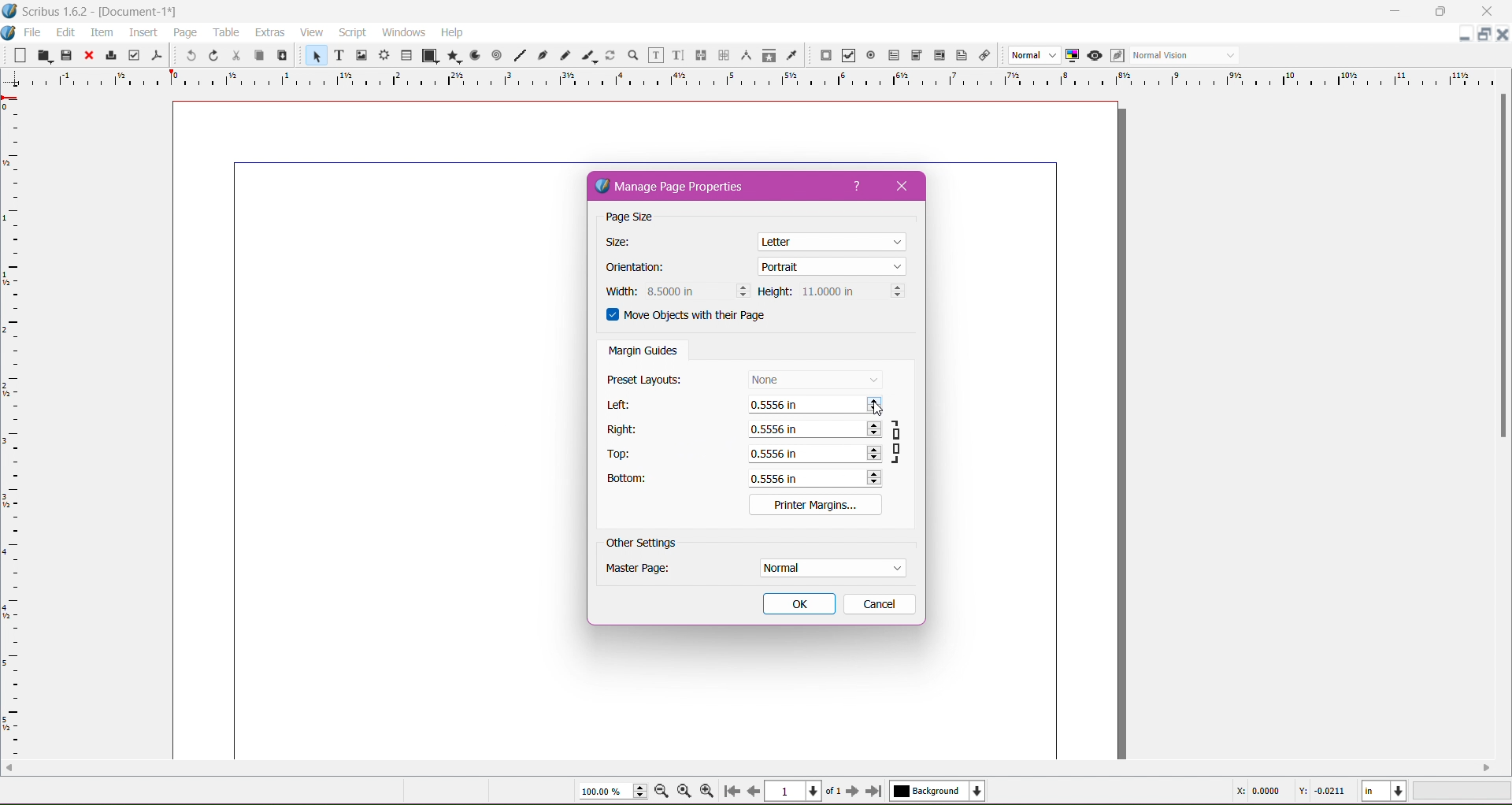  Describe the element at coordinates (769, 55) in the screenshot. I see `Copy Item Properties` at that location.